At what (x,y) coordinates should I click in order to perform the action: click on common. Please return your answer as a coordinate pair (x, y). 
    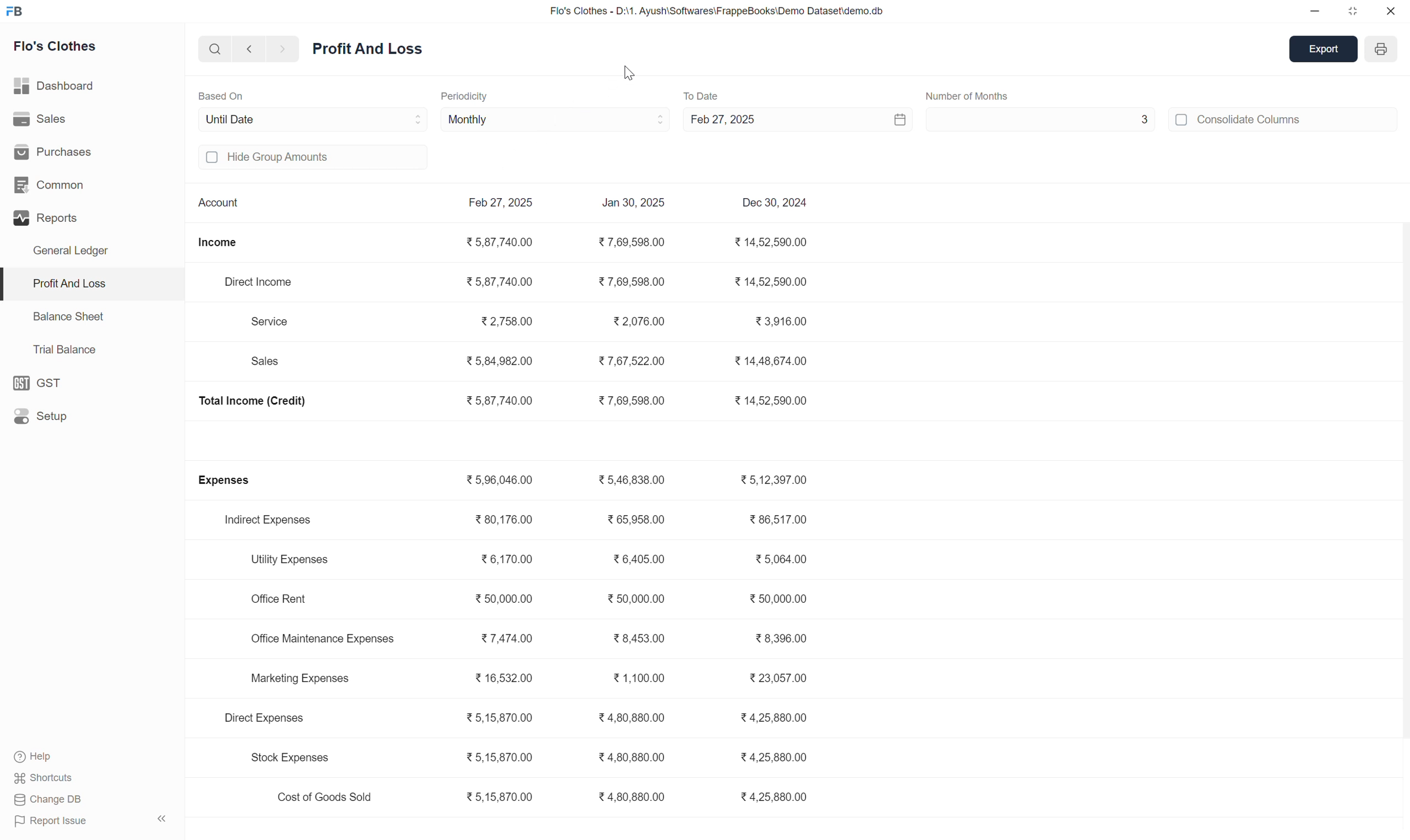
    Looking at the image, I should click on (49, 183).